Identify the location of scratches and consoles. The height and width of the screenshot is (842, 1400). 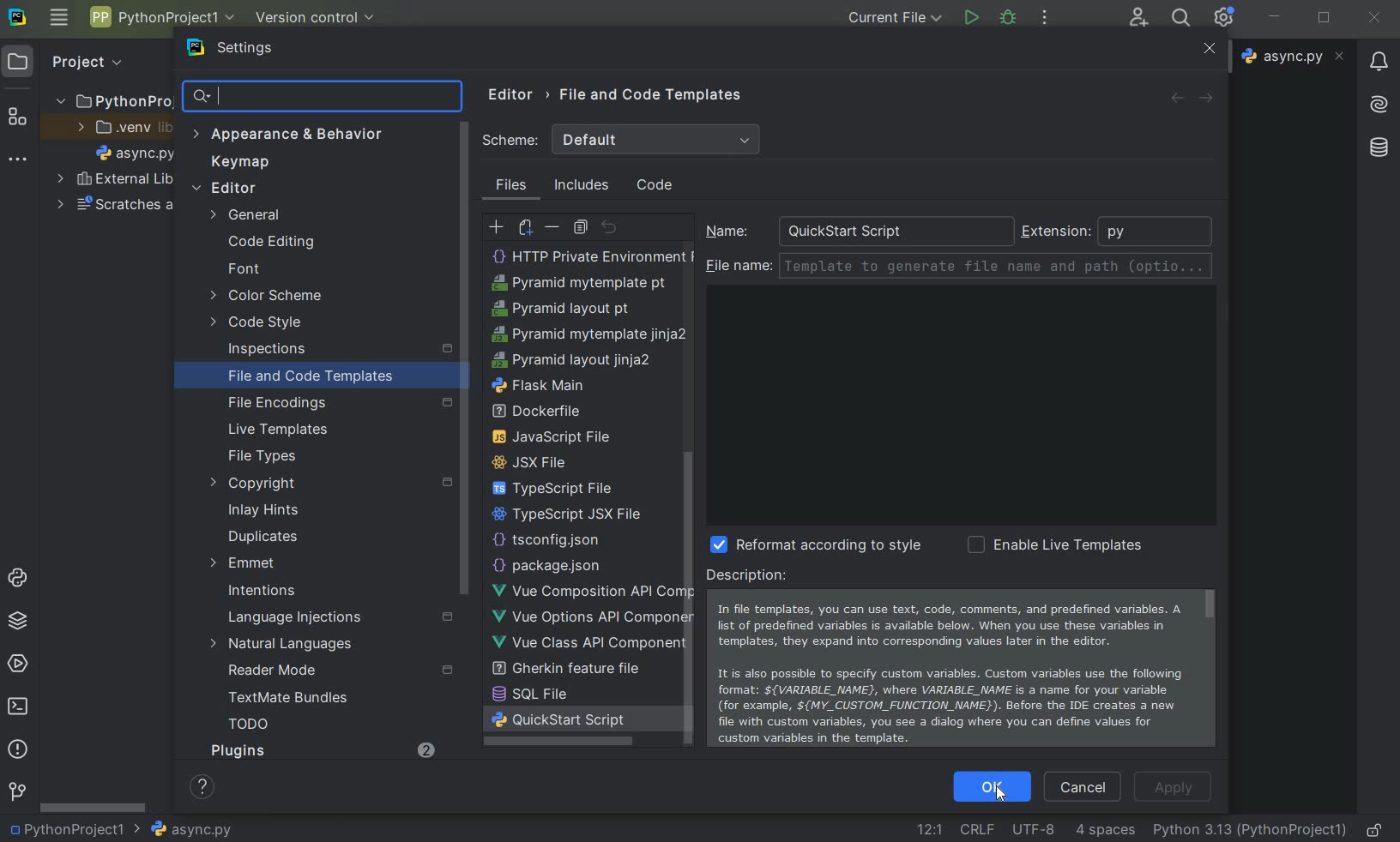
(125, 206).